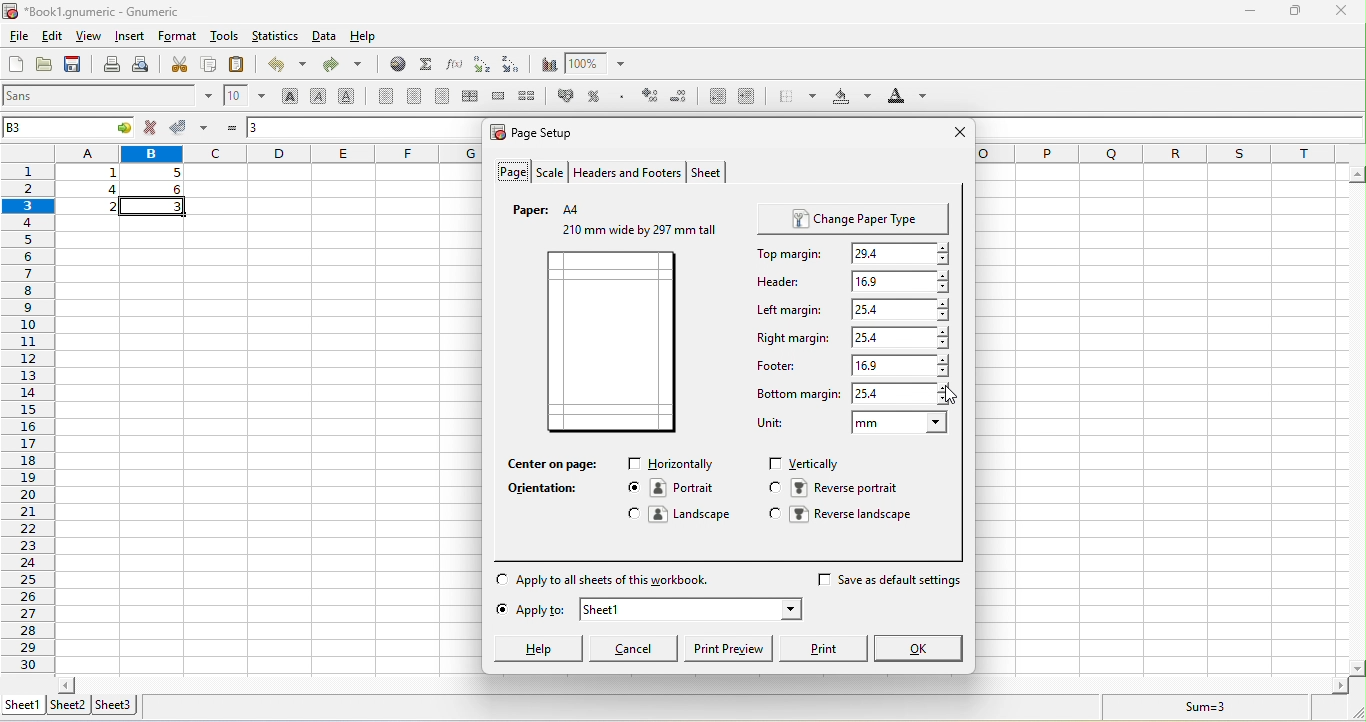  What do you see at coordinates (275, 39) in the screenshot?
I see `statistics` at bounding box center [275, 39].